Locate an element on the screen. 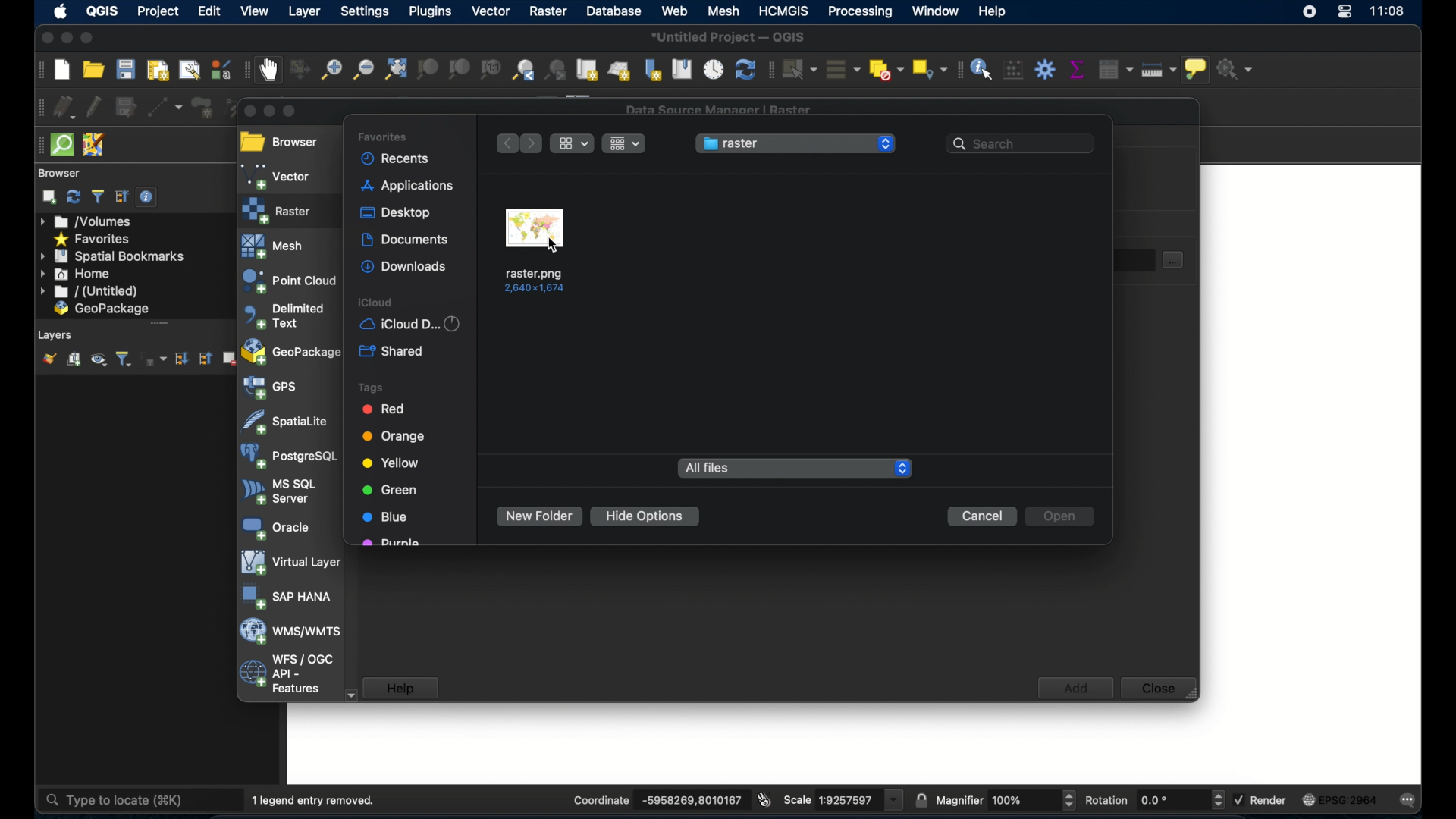 The height and width of the screenshot is (819, 1456). raster file is located at coordinates (536, 228).